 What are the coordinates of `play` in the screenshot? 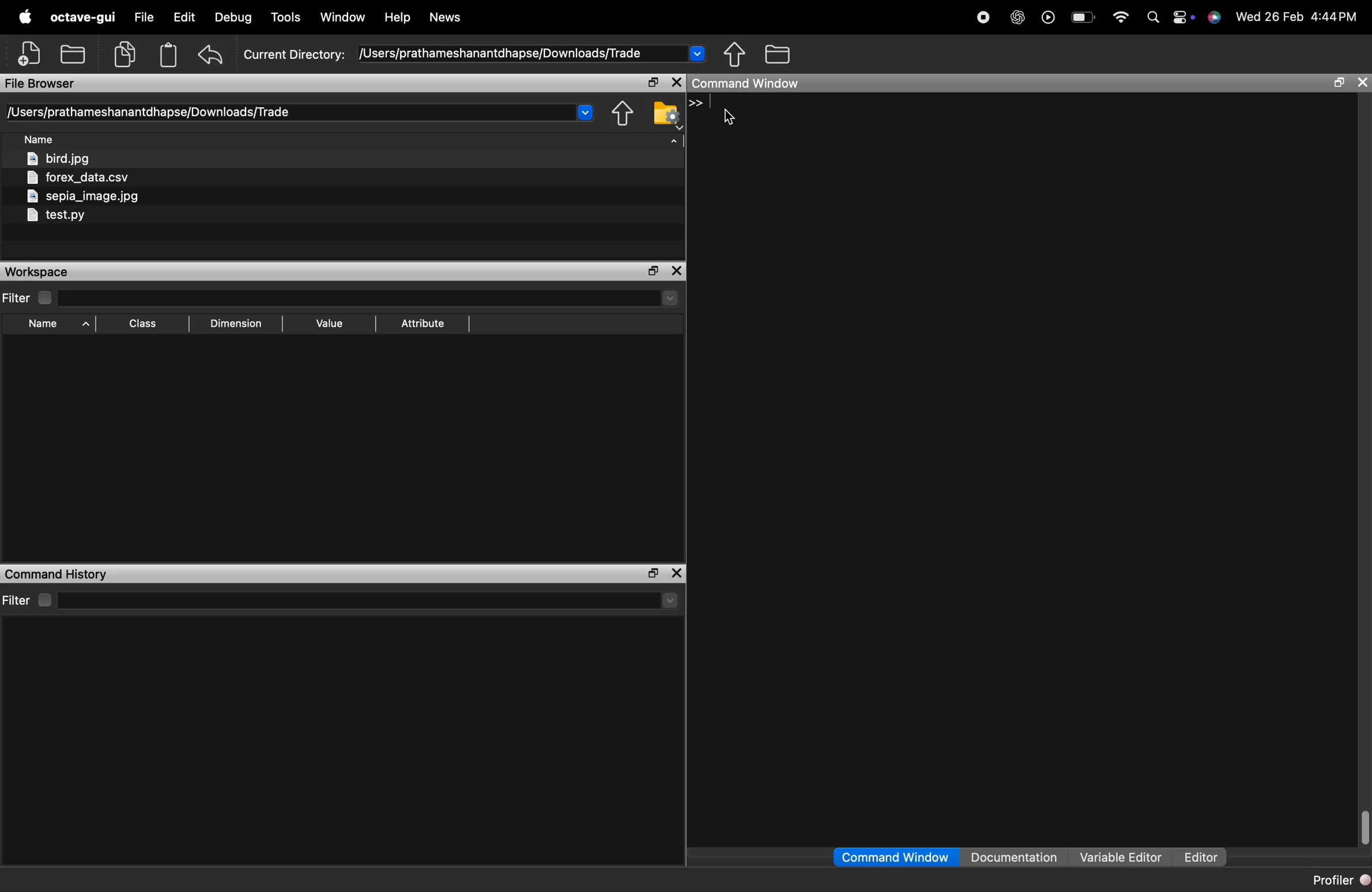 It's located at (1048, 20).